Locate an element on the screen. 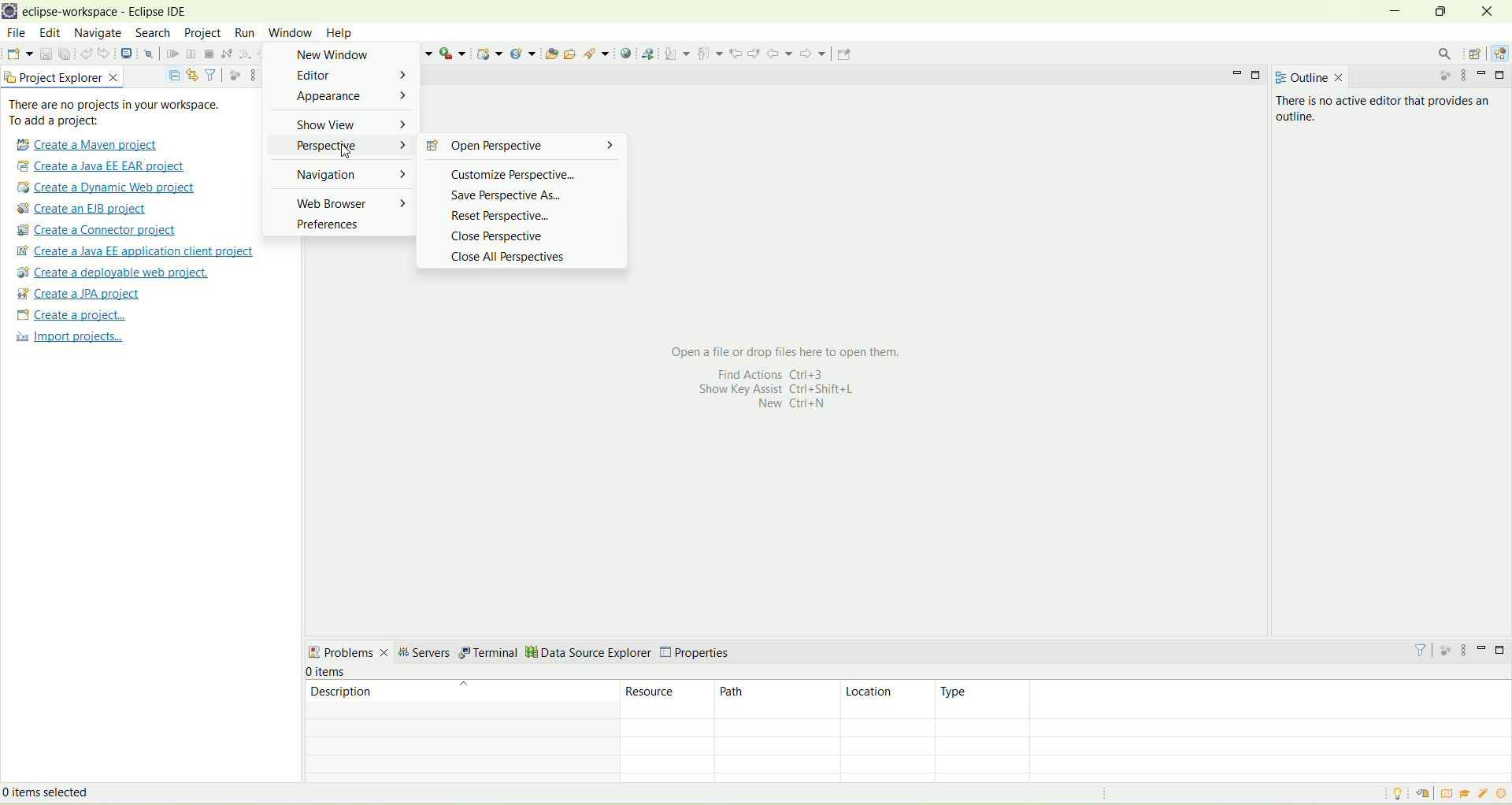 The width and height of the screenshot is (1512, 805). maximize is located at coordinates (1258, 74).